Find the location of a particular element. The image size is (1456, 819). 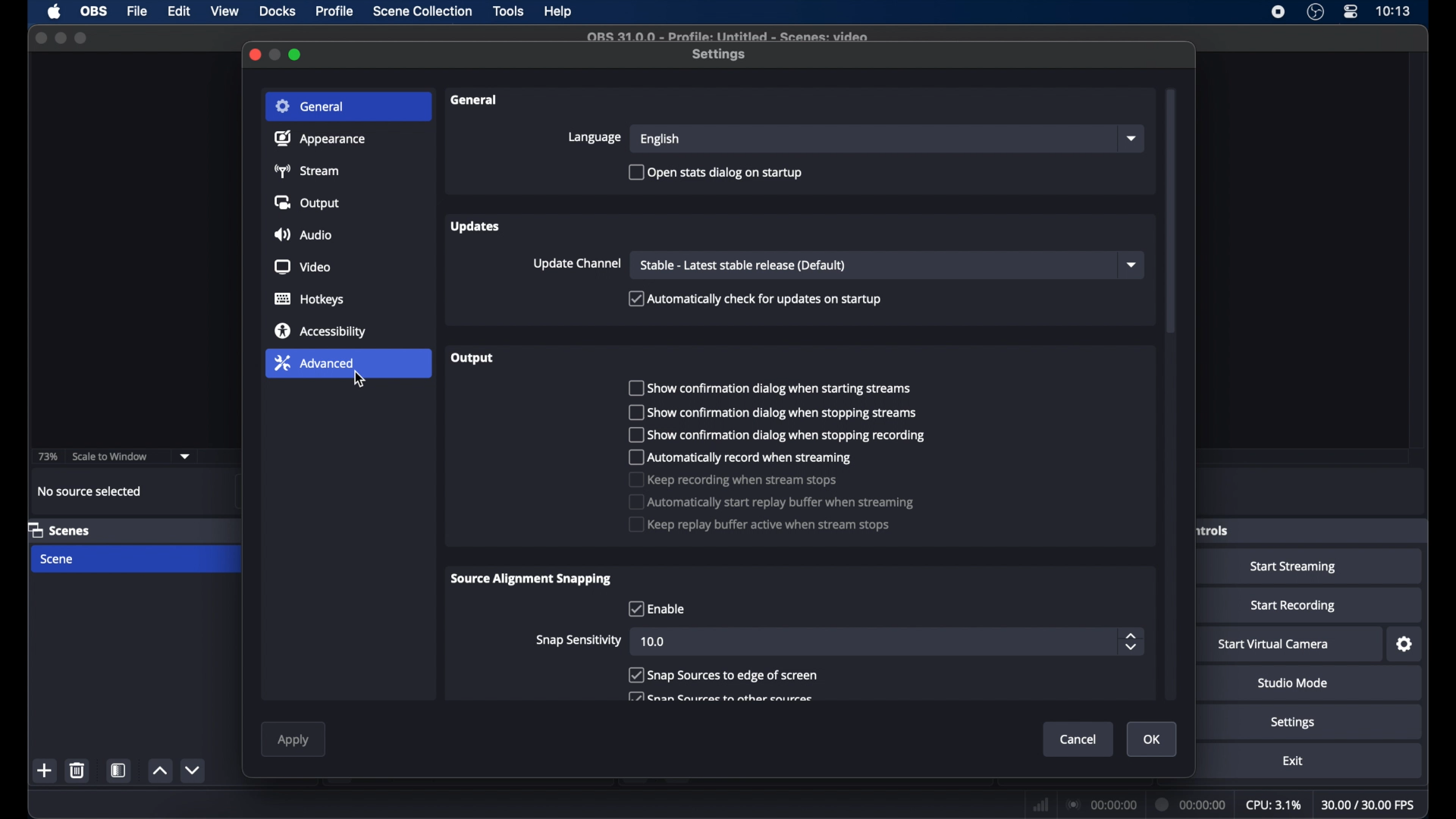

exit is located at coordinates (1294, 761).